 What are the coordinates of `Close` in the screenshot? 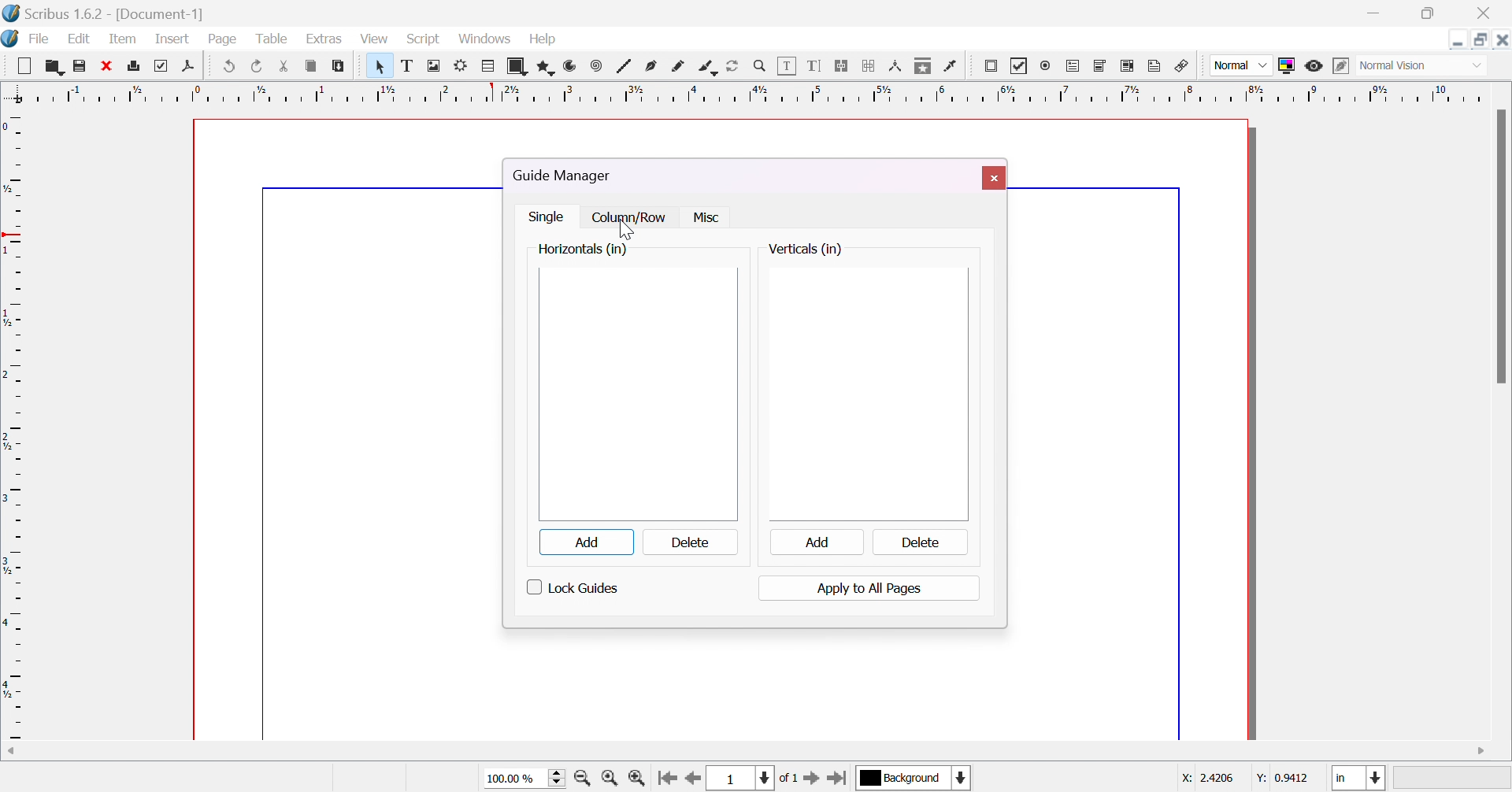 It's located at (1503, 39).